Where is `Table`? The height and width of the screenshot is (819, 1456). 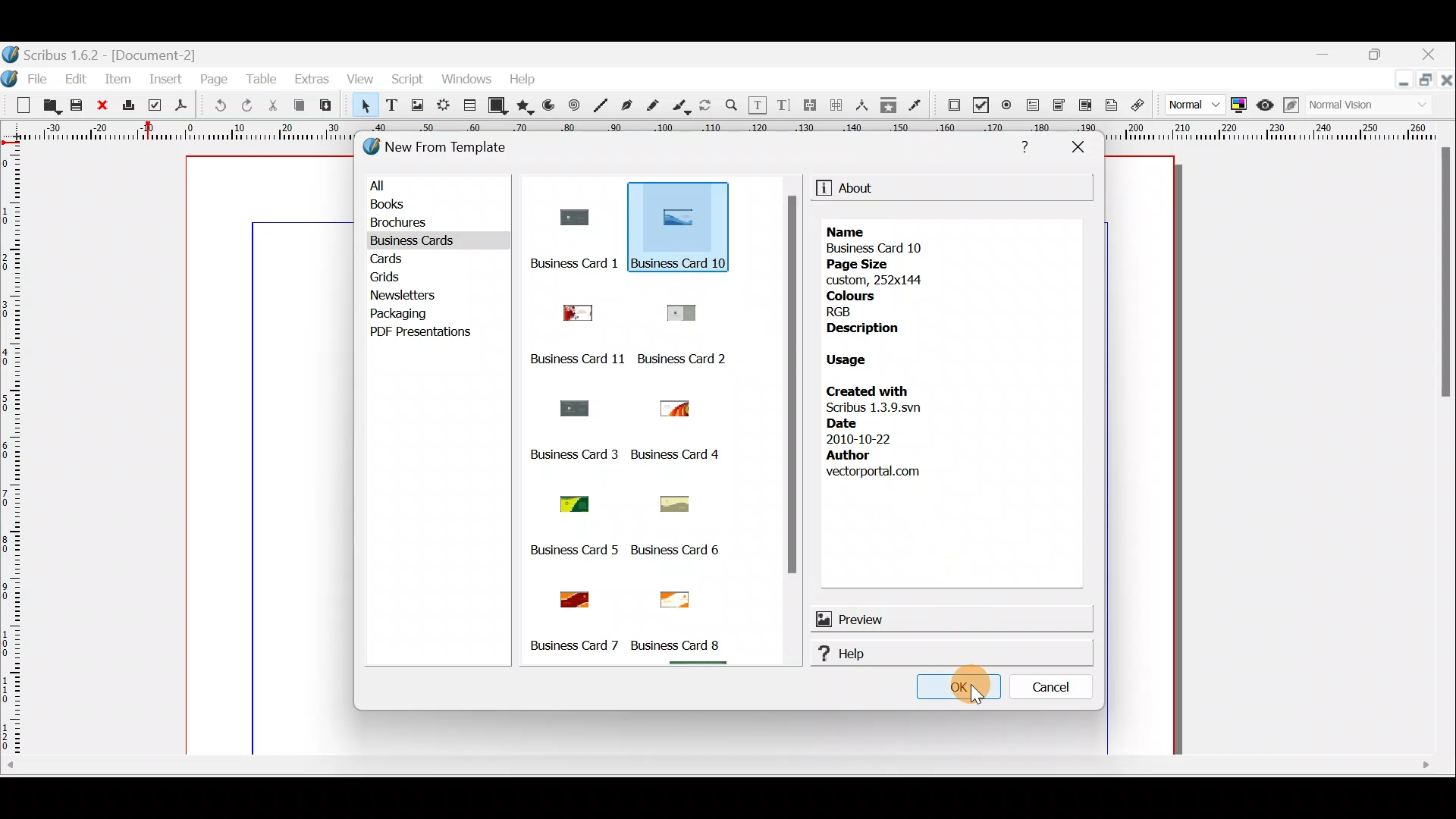 Table is located at coordinates (265, 78).